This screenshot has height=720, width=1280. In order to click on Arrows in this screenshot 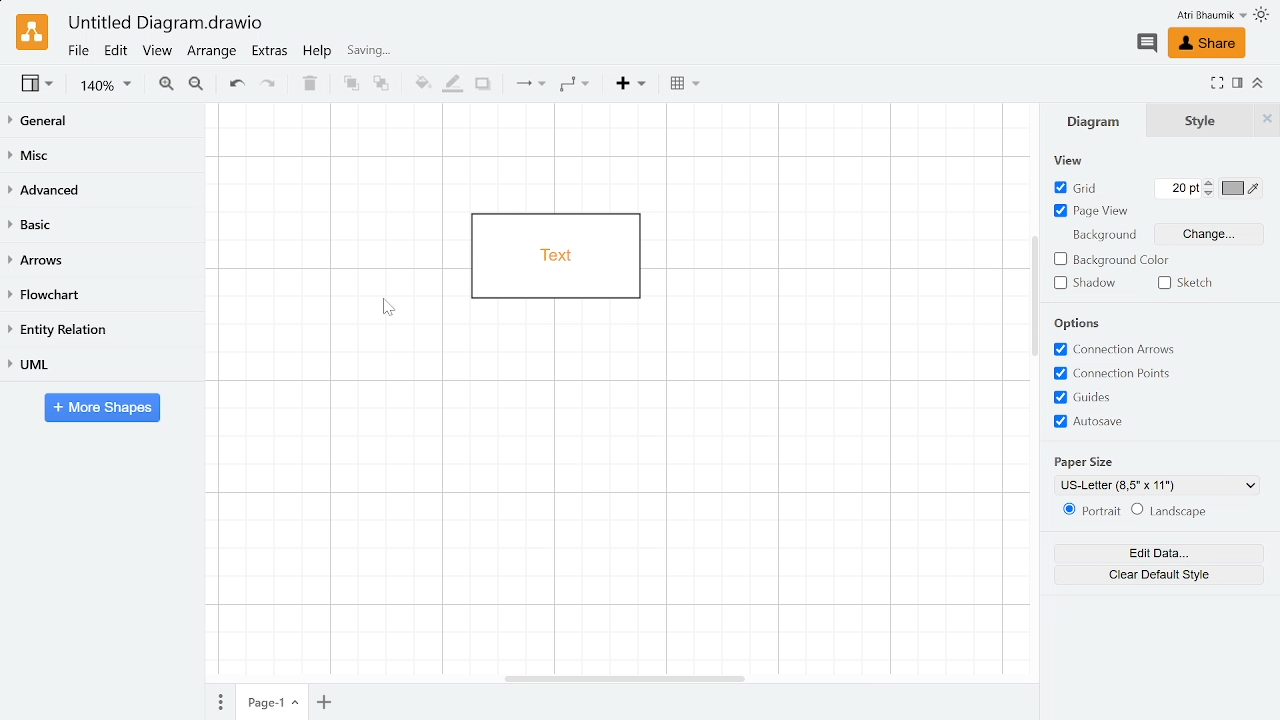, I will do `click(103, 261)`.